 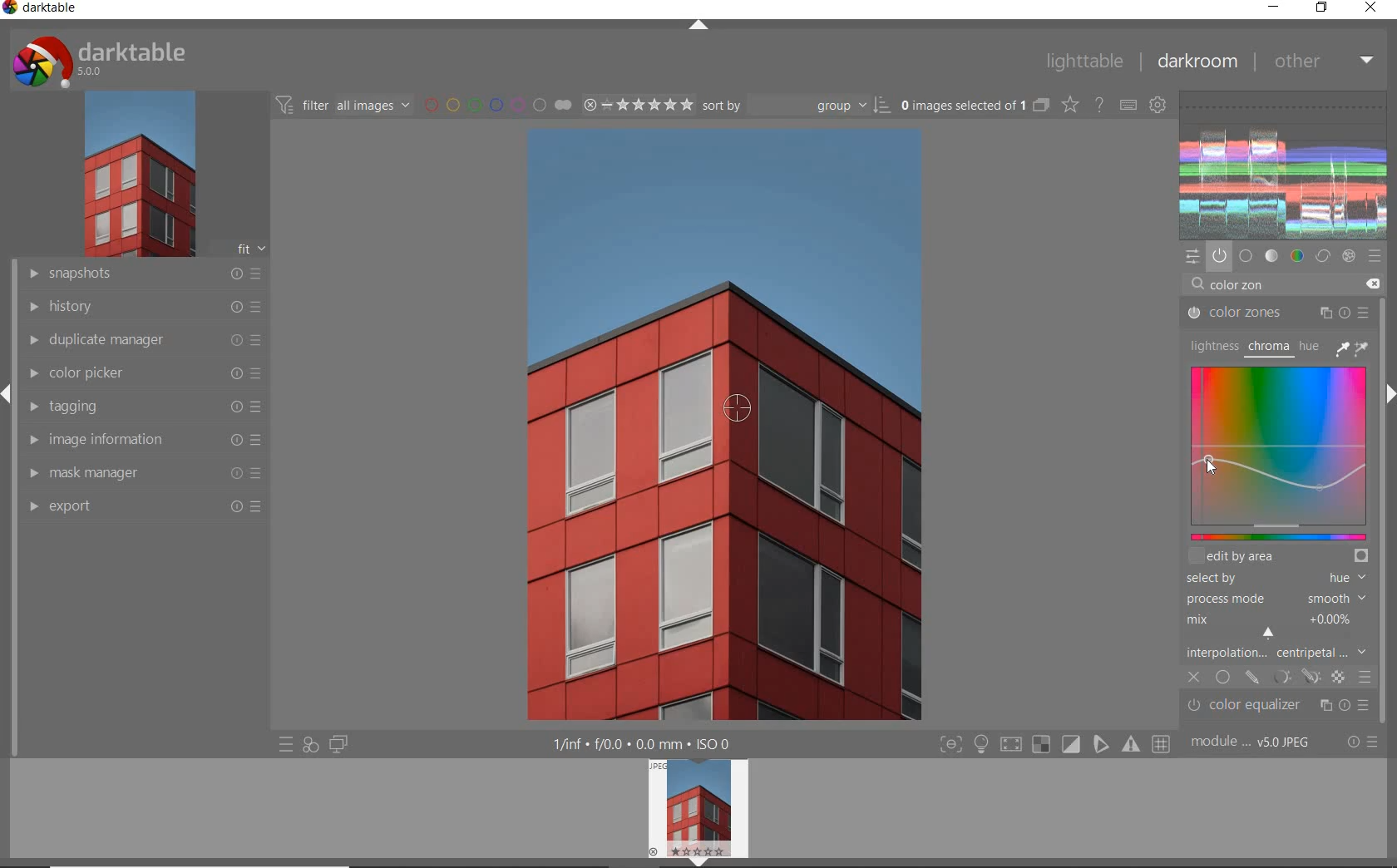 What do you see at coordinates (983, 747) in the screenshot?
I see `highlight` at bounding box center [983, 747].